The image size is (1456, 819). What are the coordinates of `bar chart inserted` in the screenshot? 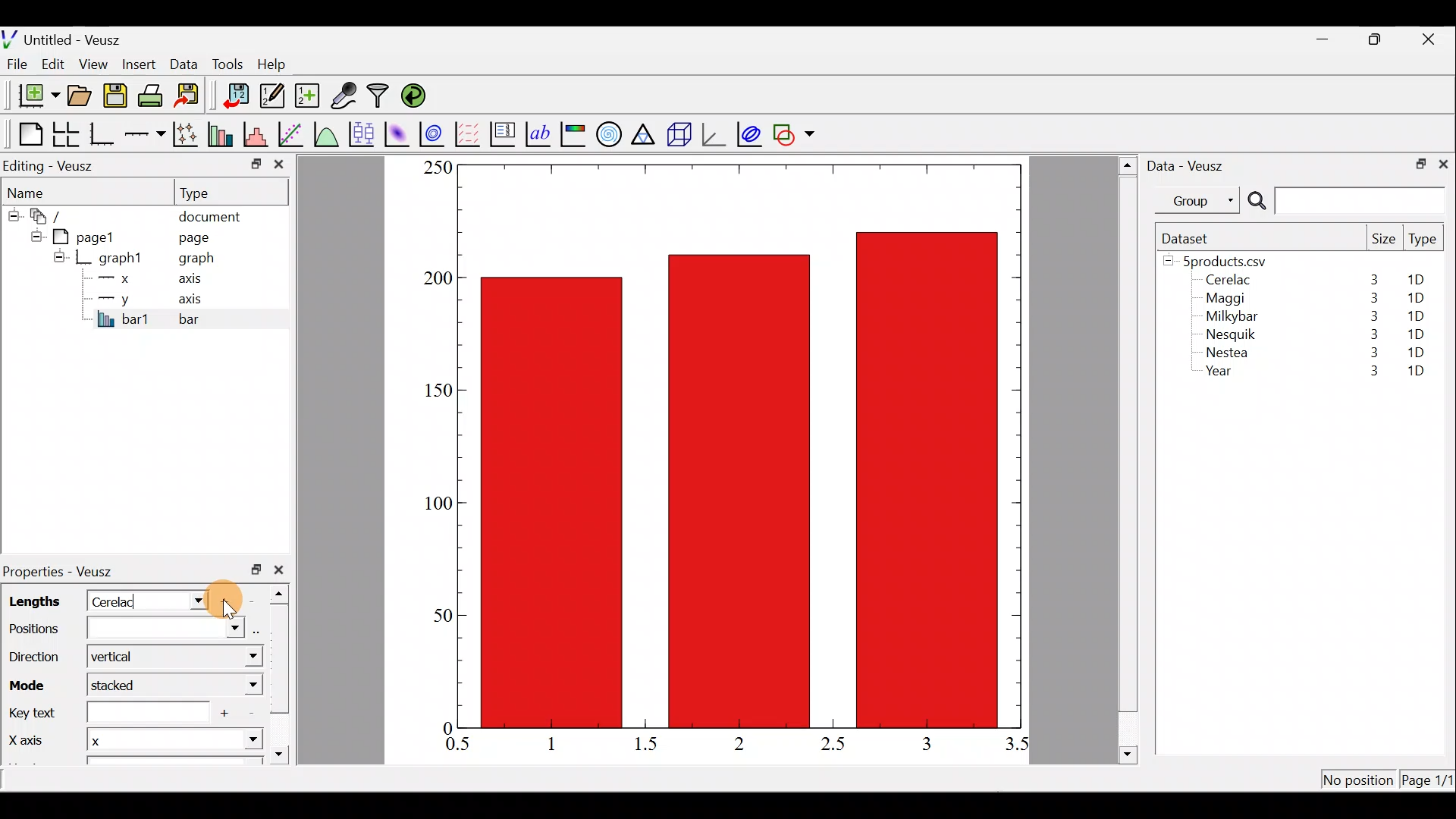 It's located at (741, 444).